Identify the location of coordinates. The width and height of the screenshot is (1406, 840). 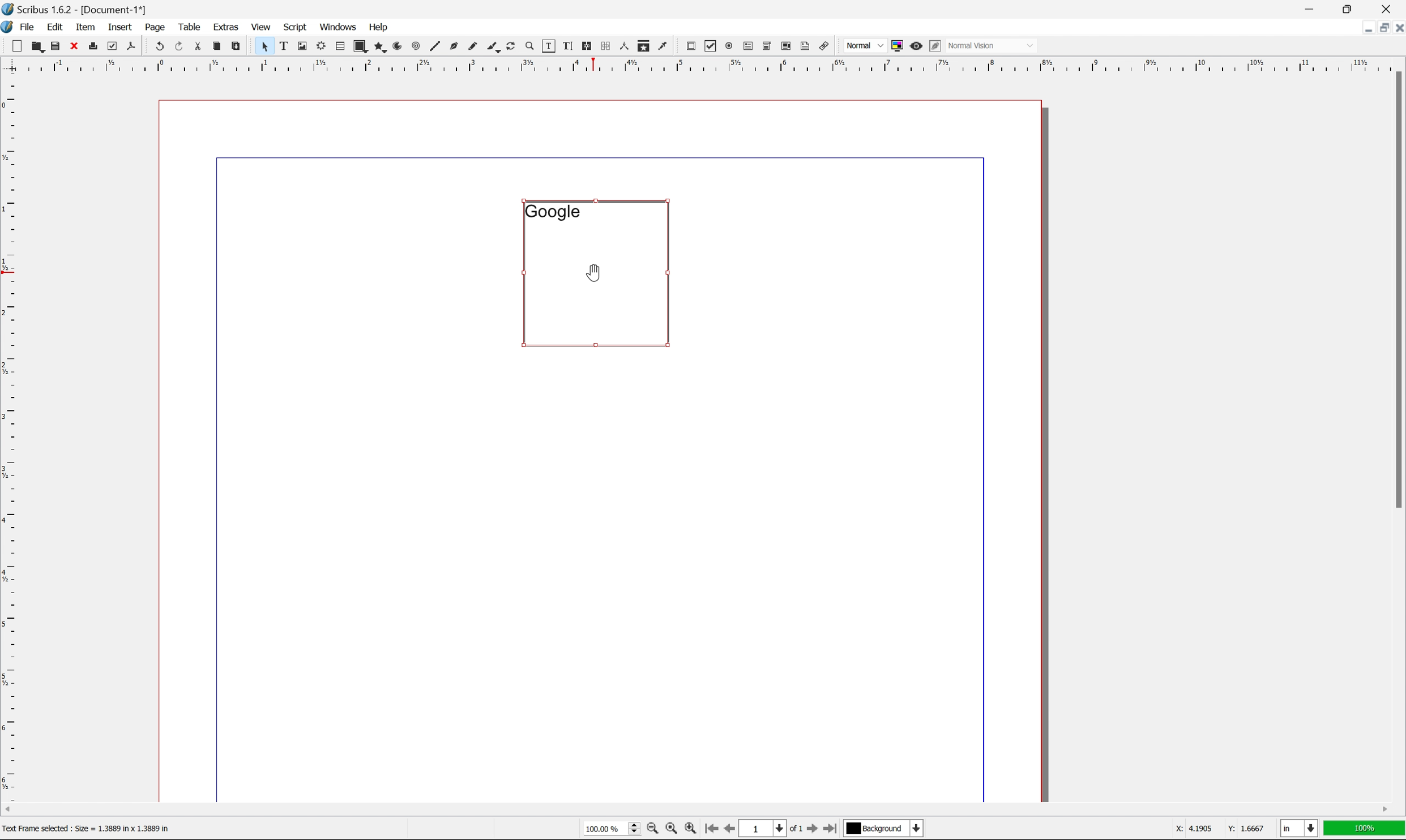
(1212, 829).